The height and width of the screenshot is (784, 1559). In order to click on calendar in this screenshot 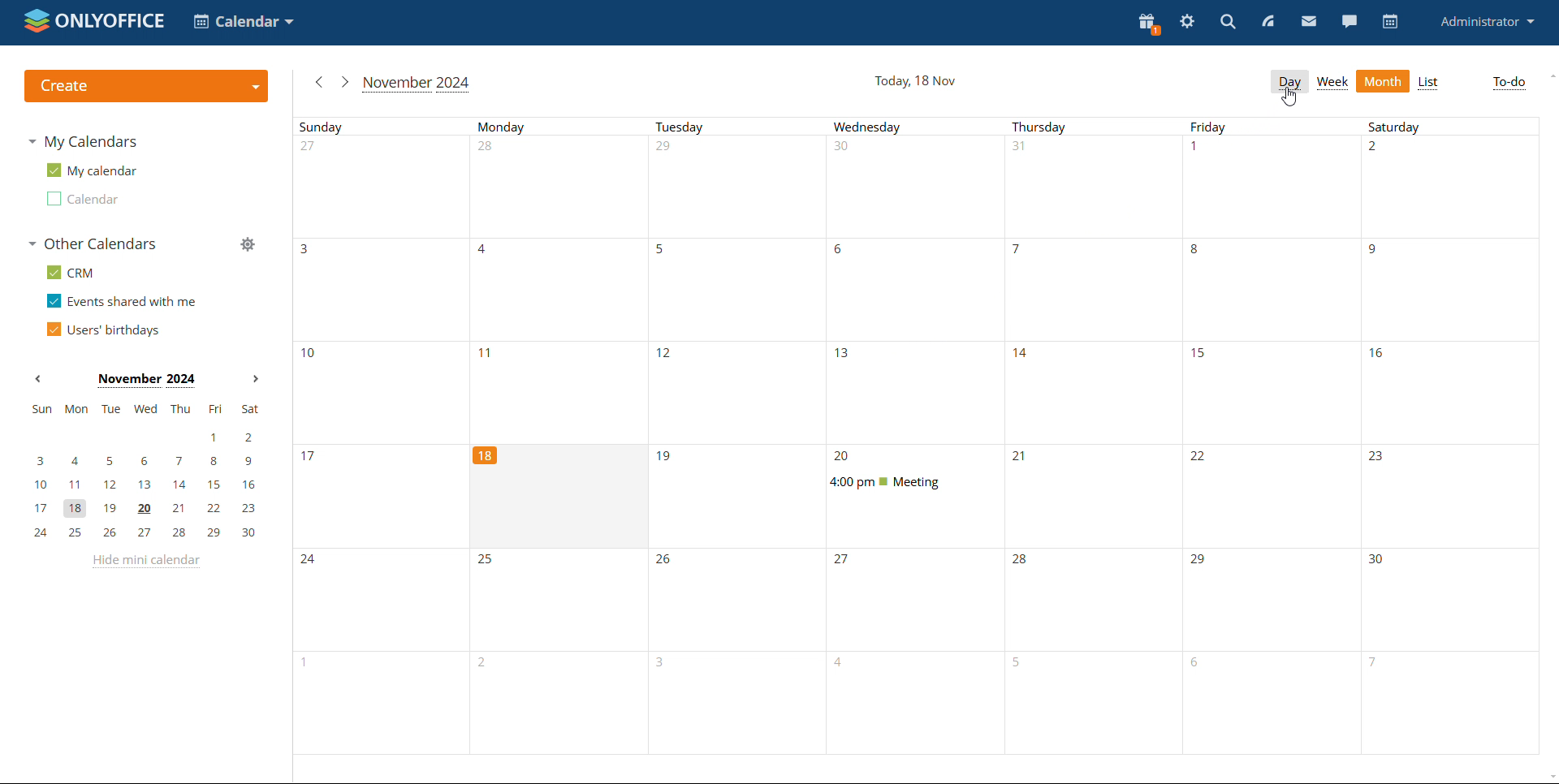, I will do `click(1389, 21)`.